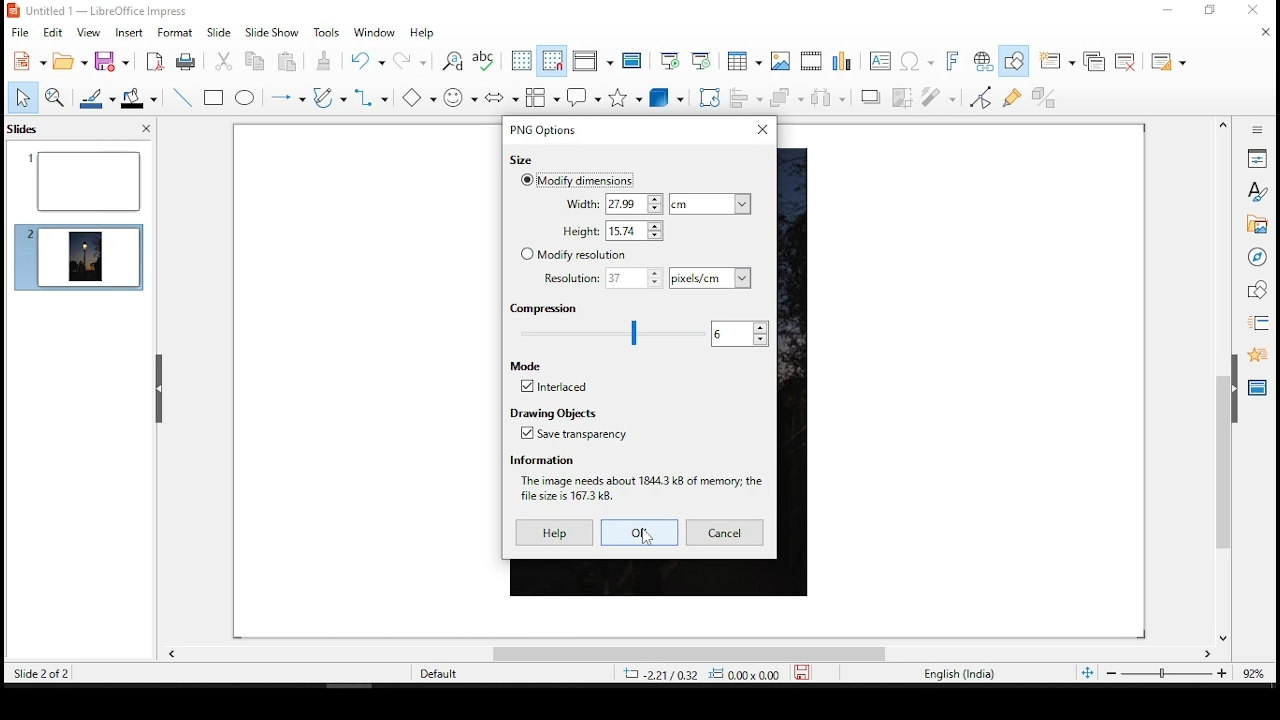 The width and height of the screenshot is (1280, 720). What do you see at coordinates (725, 532) in the screenshot?
I see `cancel` at bounding box center [725, 532].